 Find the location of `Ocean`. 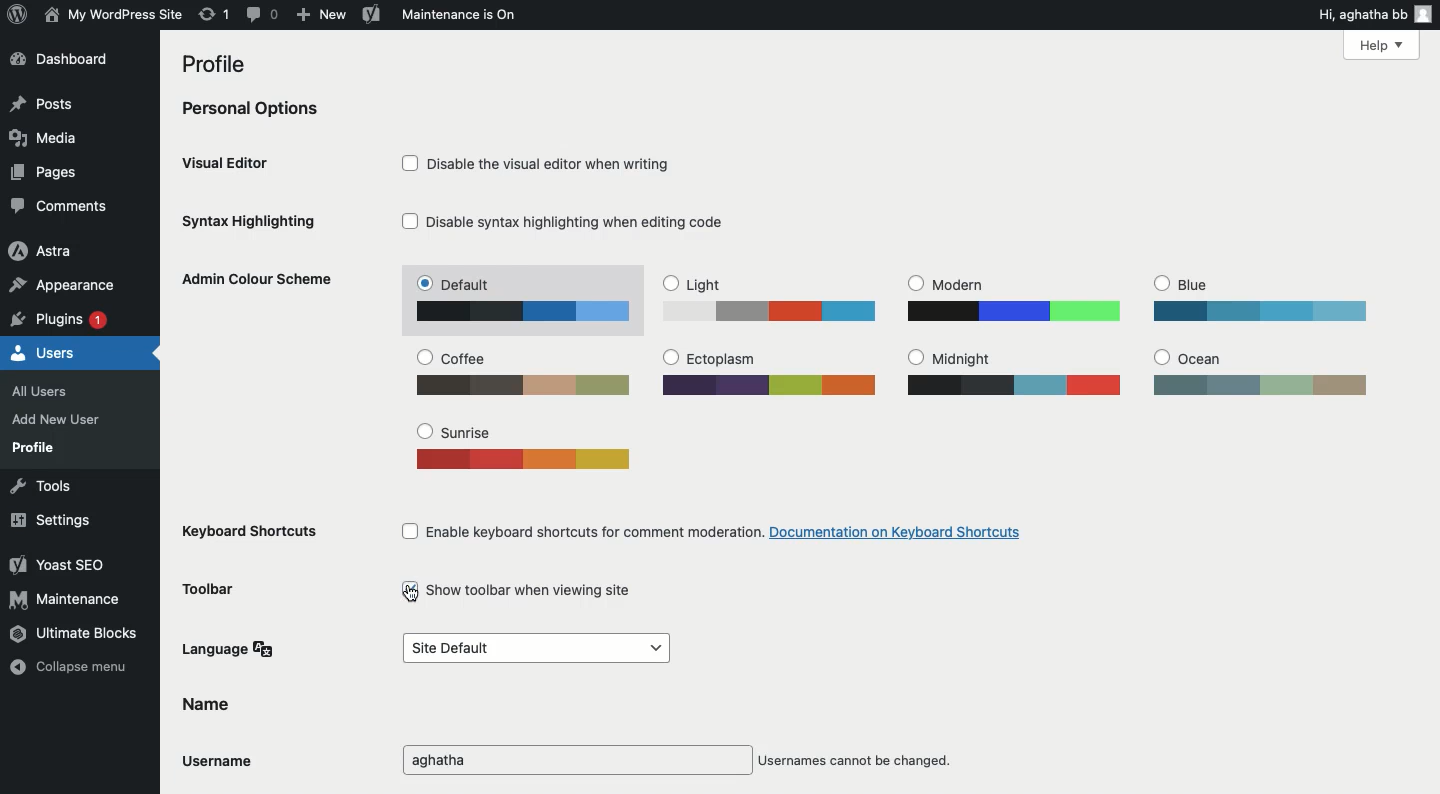

Ocean is located at coordinates (1264, 373).